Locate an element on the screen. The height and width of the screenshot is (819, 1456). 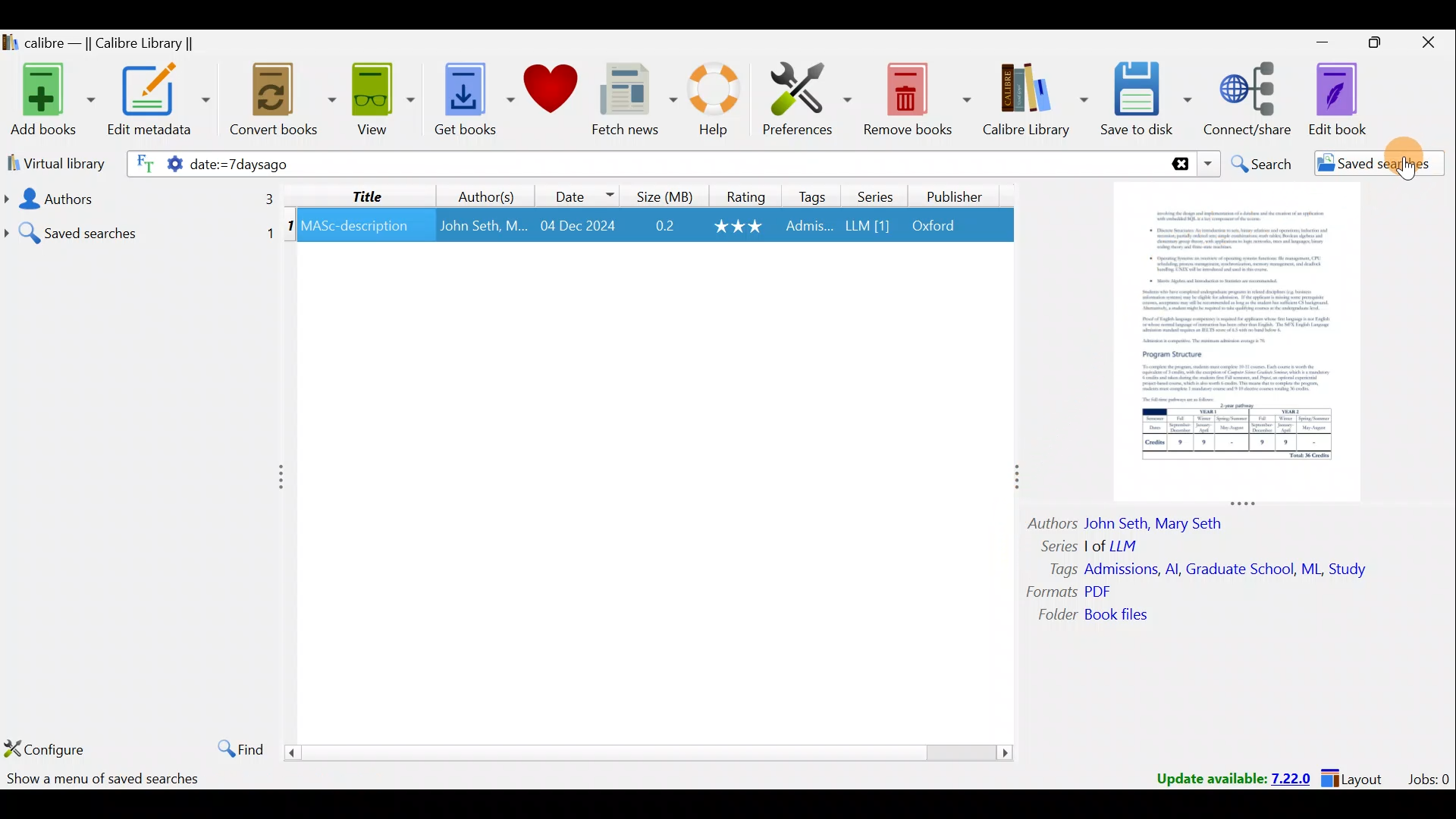
Find is located at coordinates (237, 746).